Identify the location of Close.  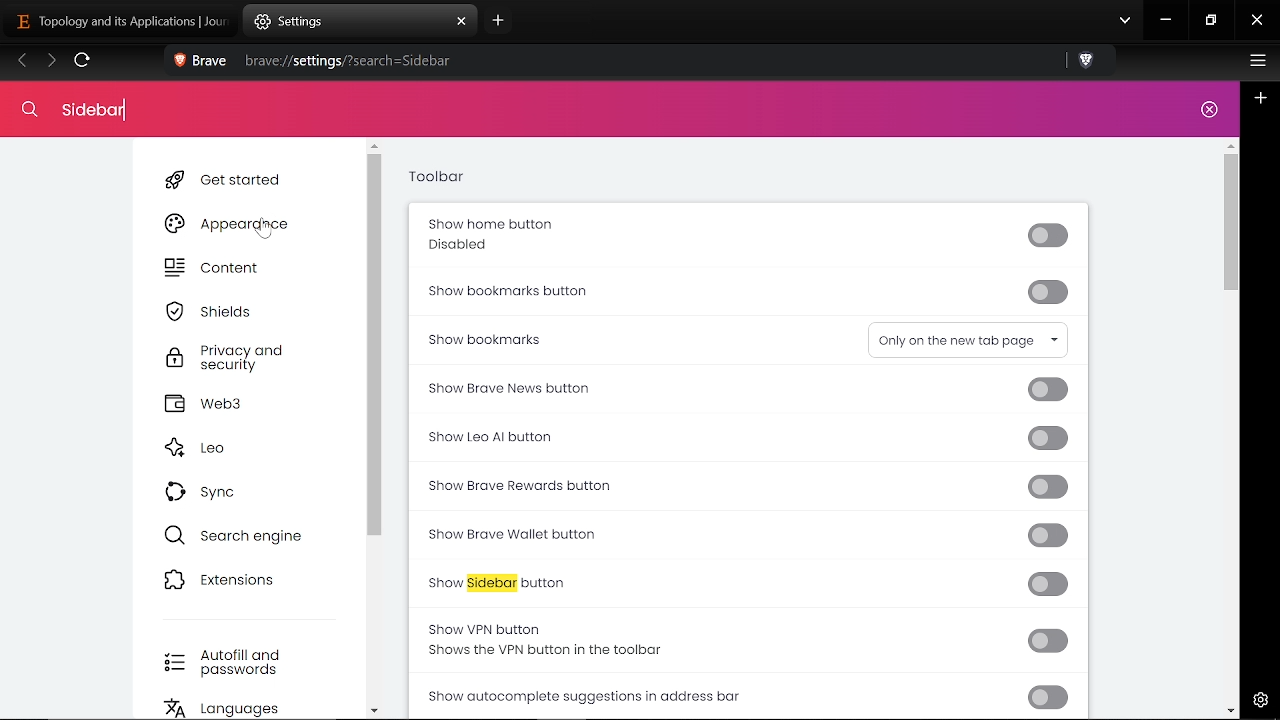
(1257, 22).